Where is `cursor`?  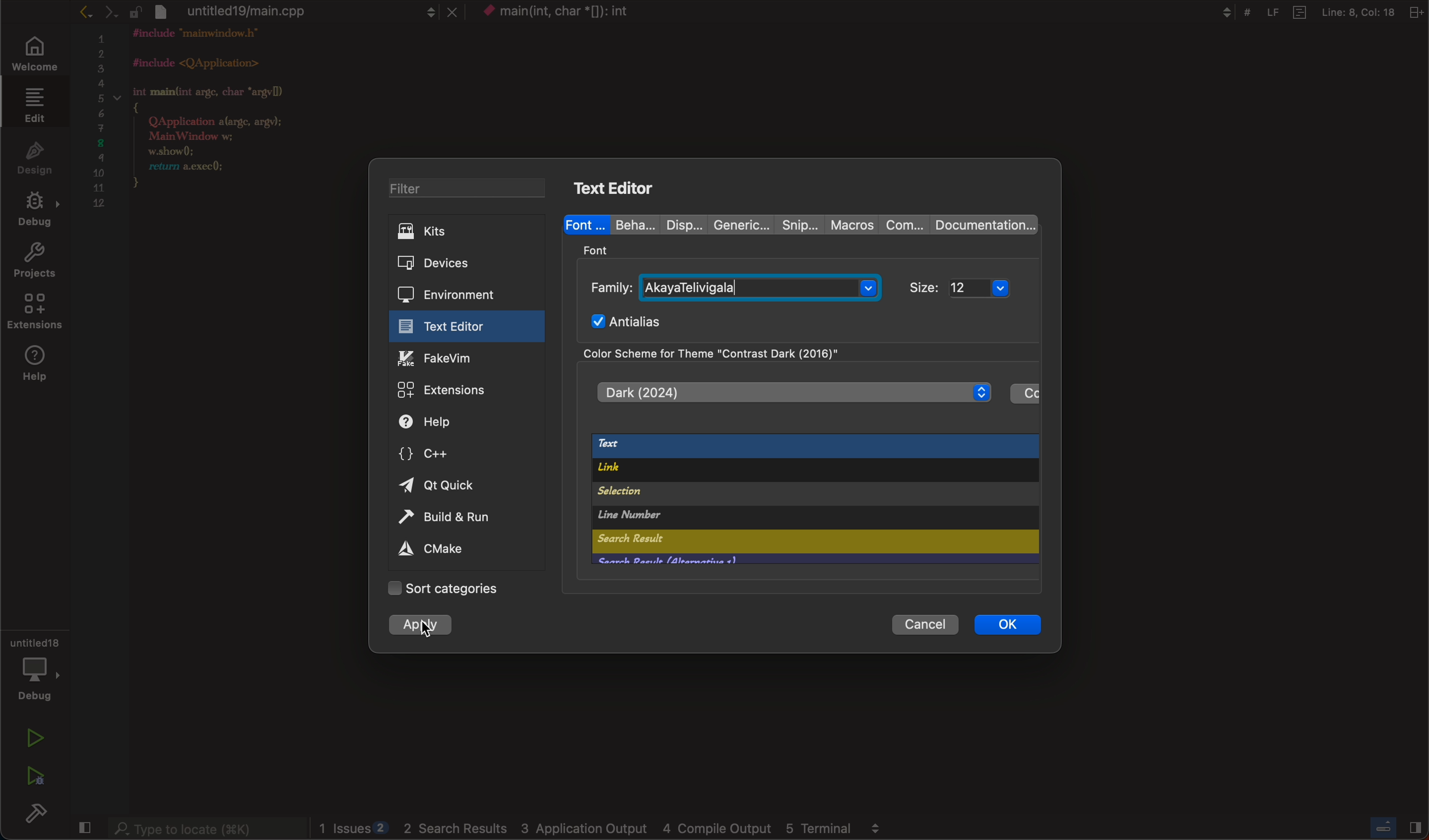 cursor is located at coordinates (428, 627).